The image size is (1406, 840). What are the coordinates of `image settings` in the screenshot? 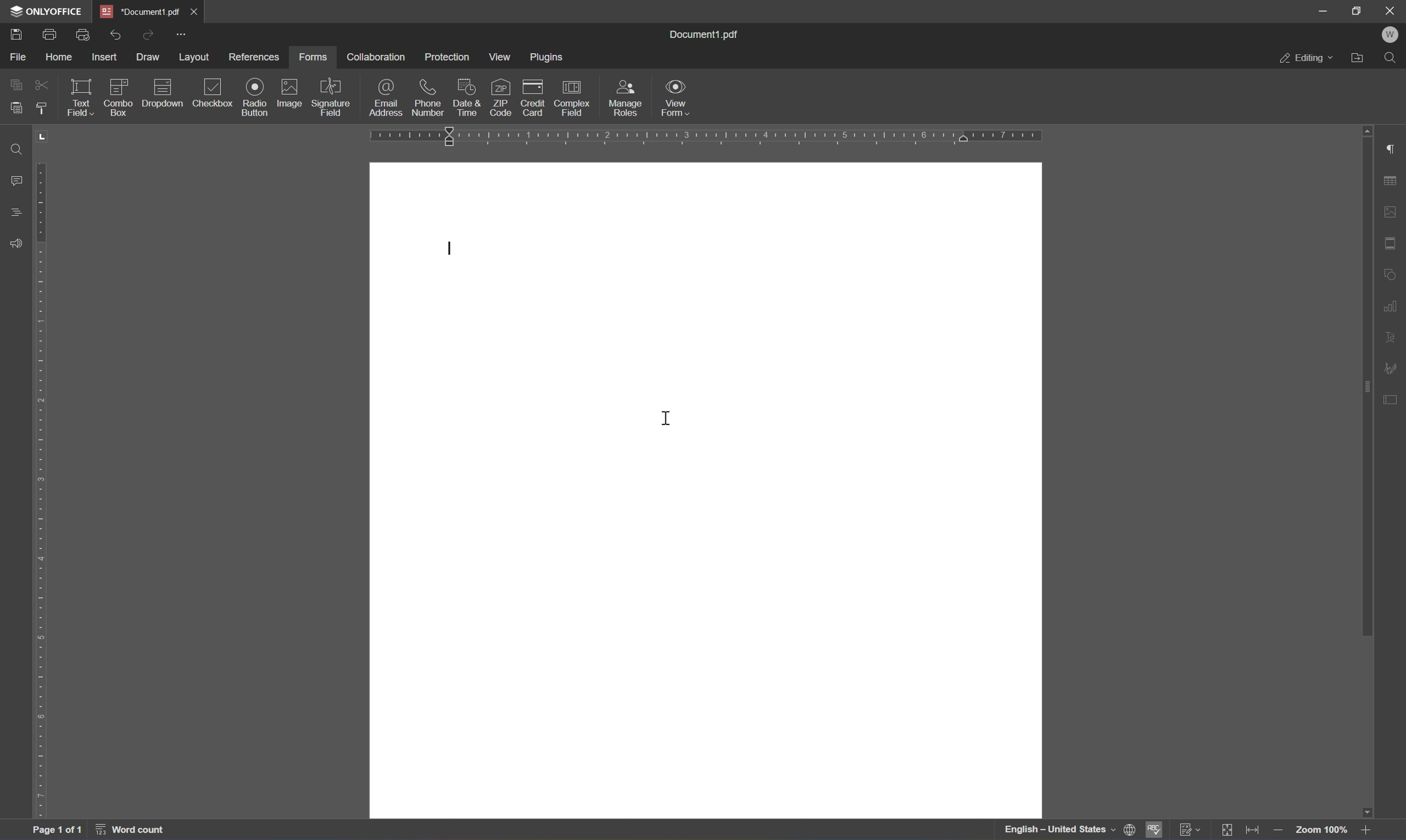 It's located at (1394, 207).